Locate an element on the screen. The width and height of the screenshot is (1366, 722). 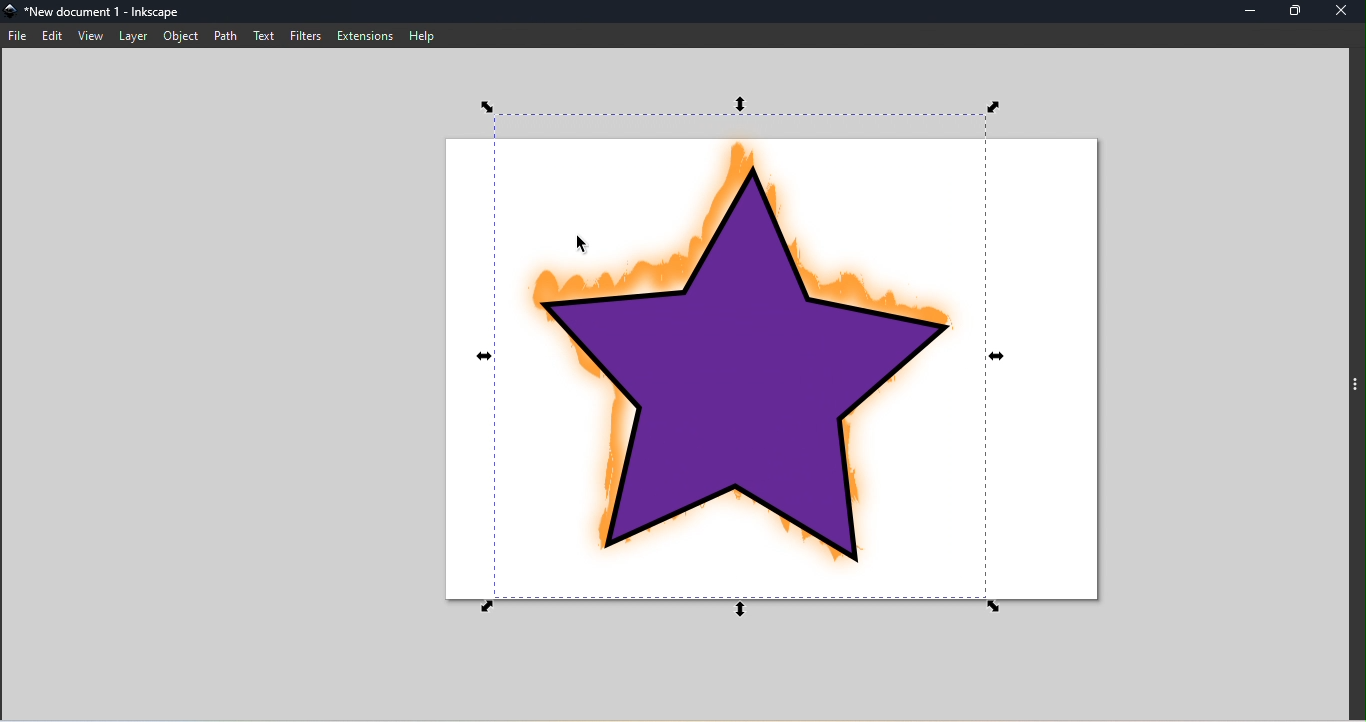
Help is located at coordinates (424, 37).